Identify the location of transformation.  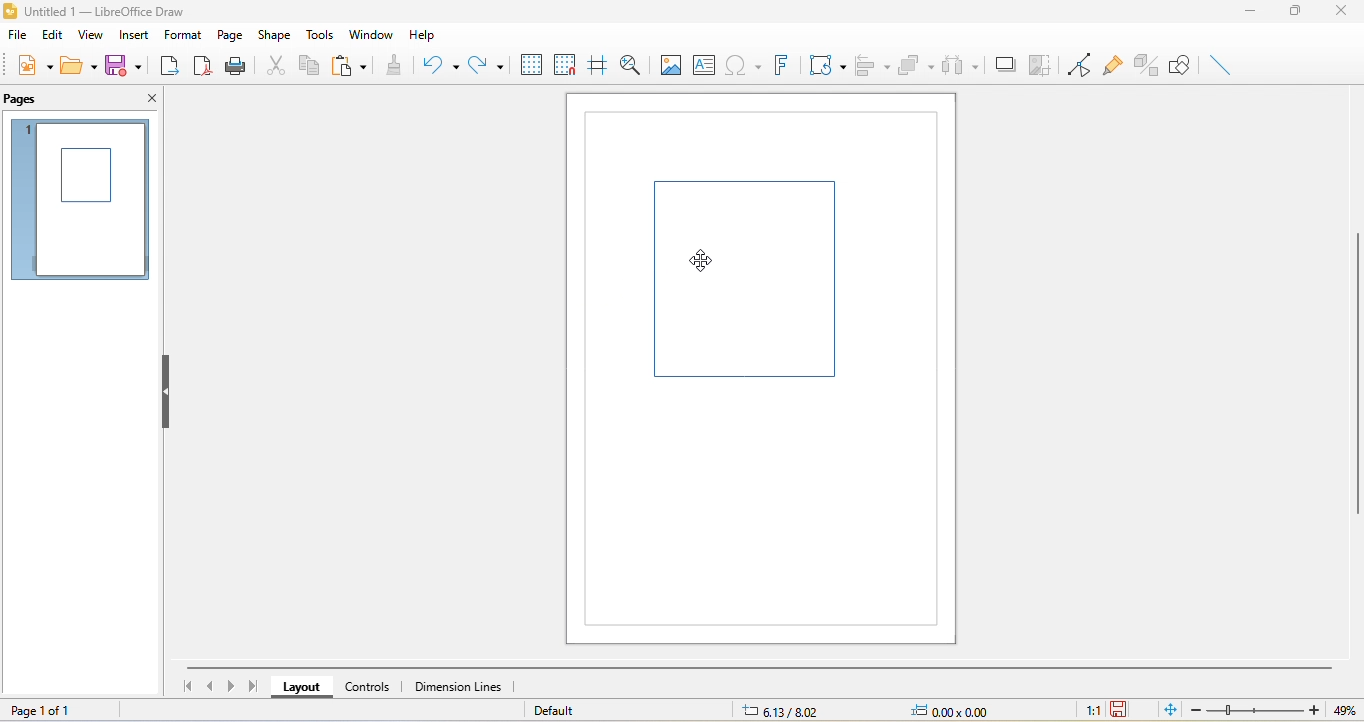
(827, 67).